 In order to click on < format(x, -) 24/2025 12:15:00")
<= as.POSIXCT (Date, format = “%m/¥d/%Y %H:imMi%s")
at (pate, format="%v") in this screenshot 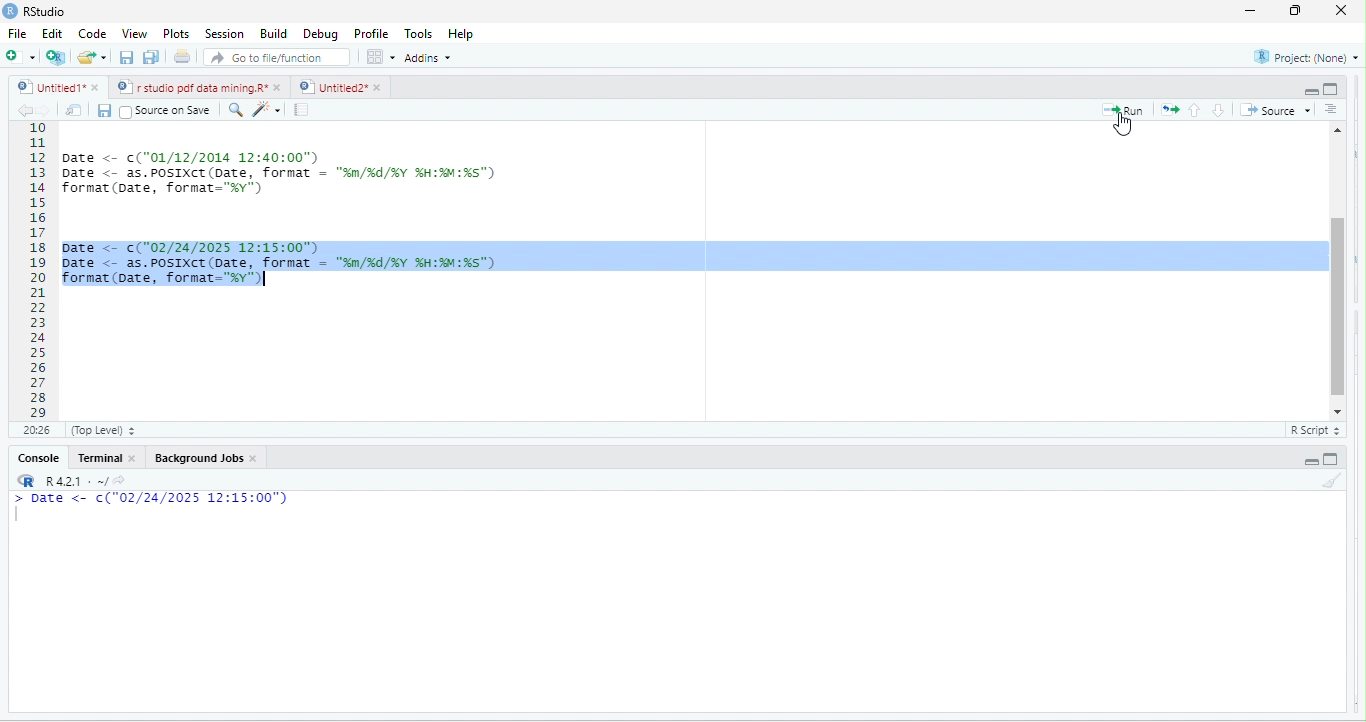, I will do `click(689, 258)`.